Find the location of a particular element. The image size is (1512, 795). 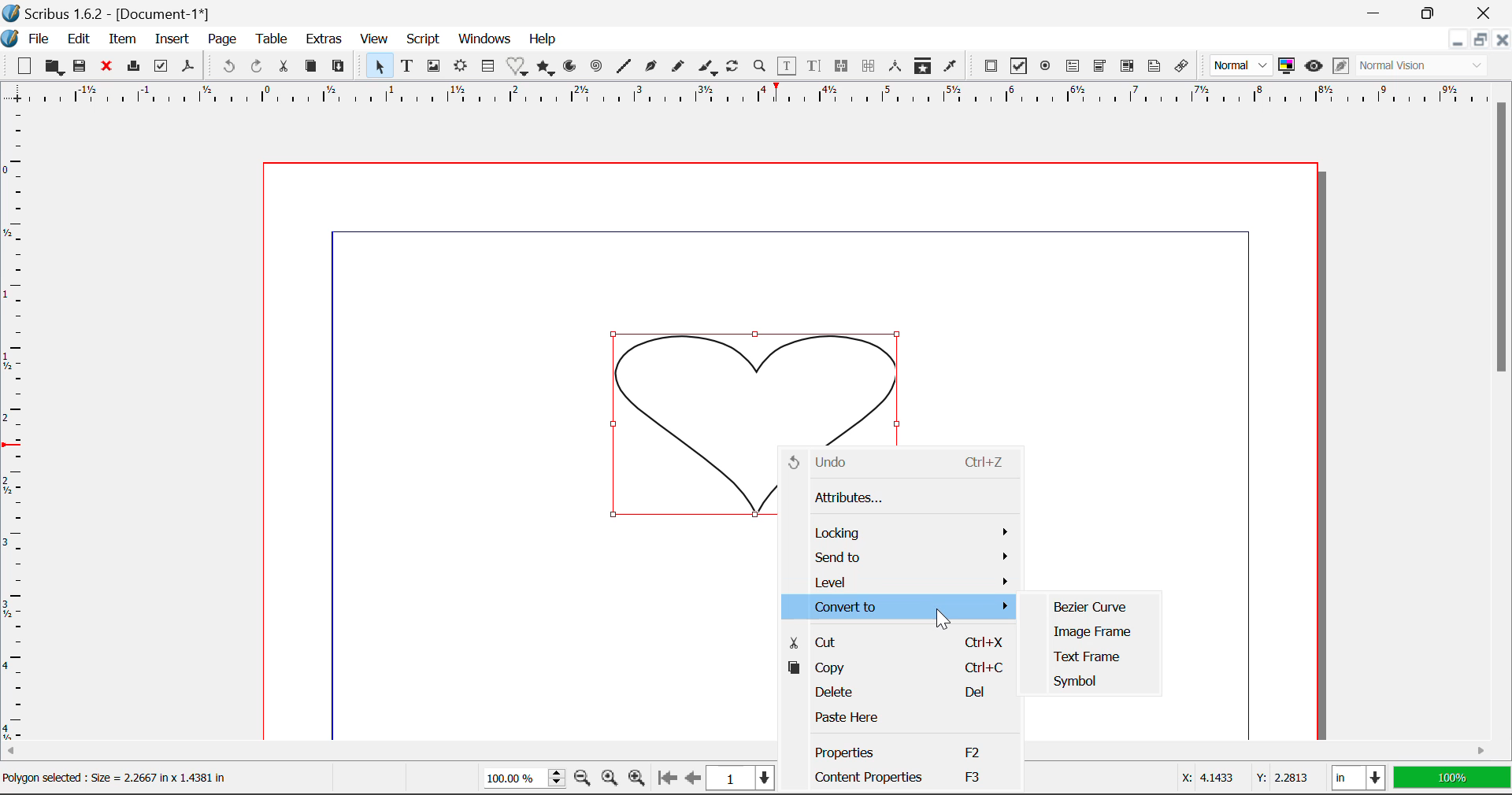

Locking is located at coordinates (903, 533).